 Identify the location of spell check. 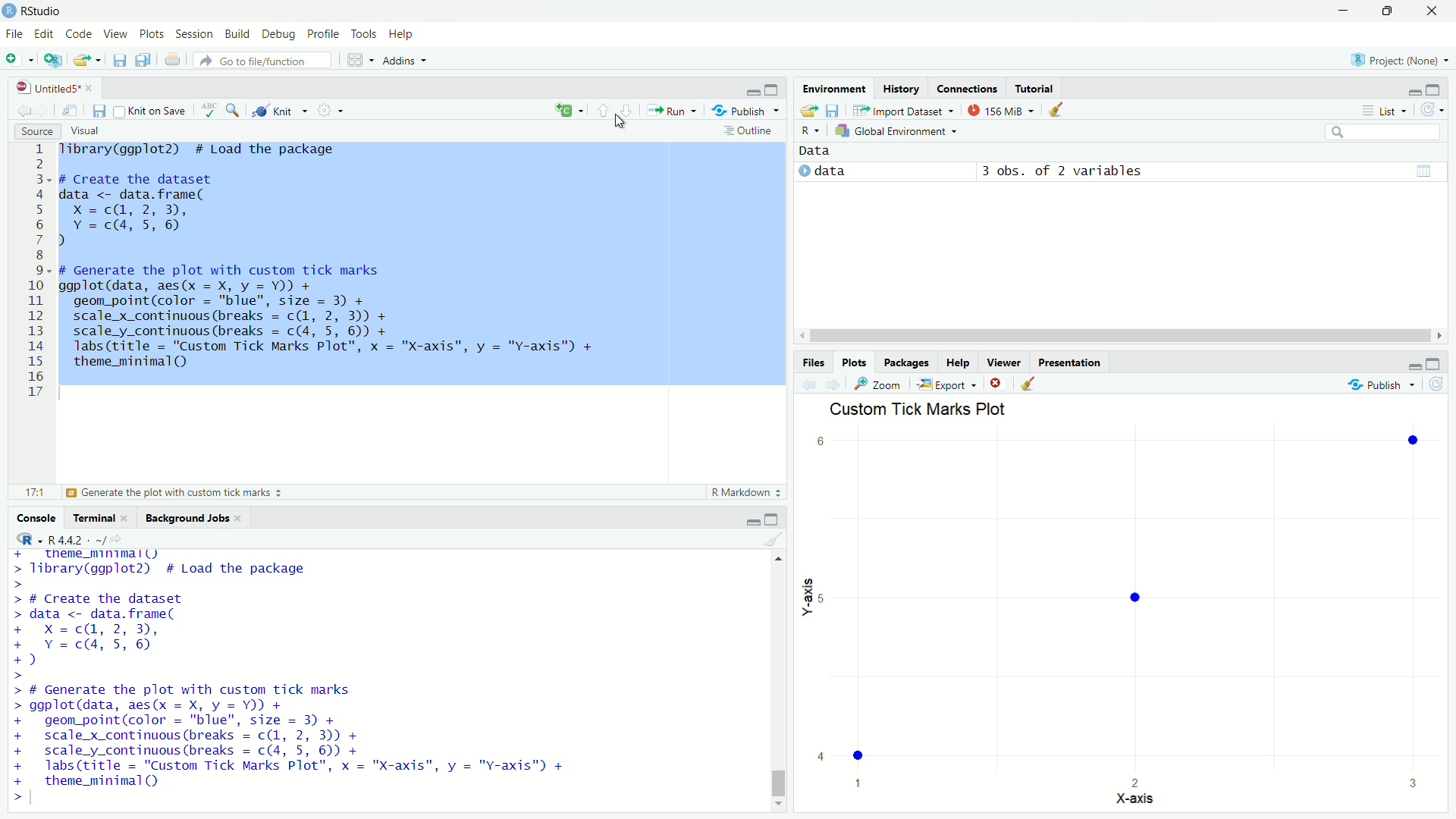
(212, 110).